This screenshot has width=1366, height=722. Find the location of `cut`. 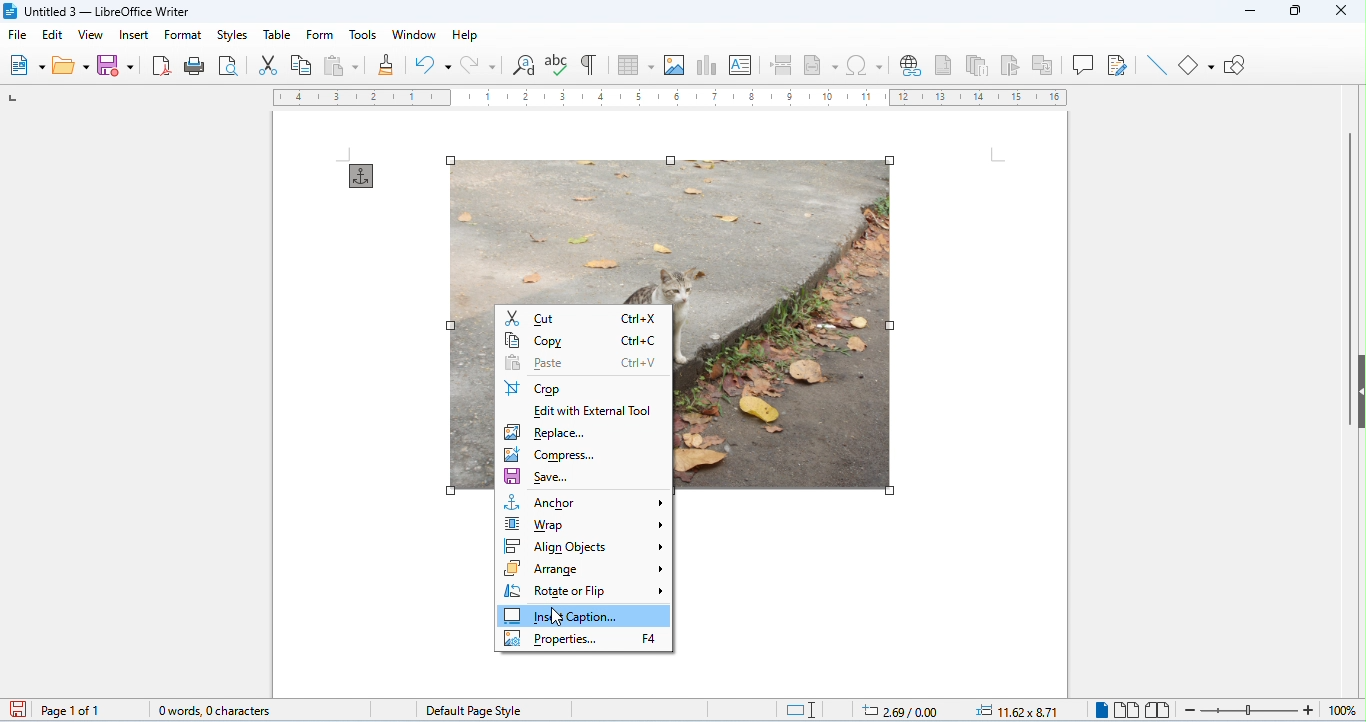

cut is located at coordinates (268, 66).